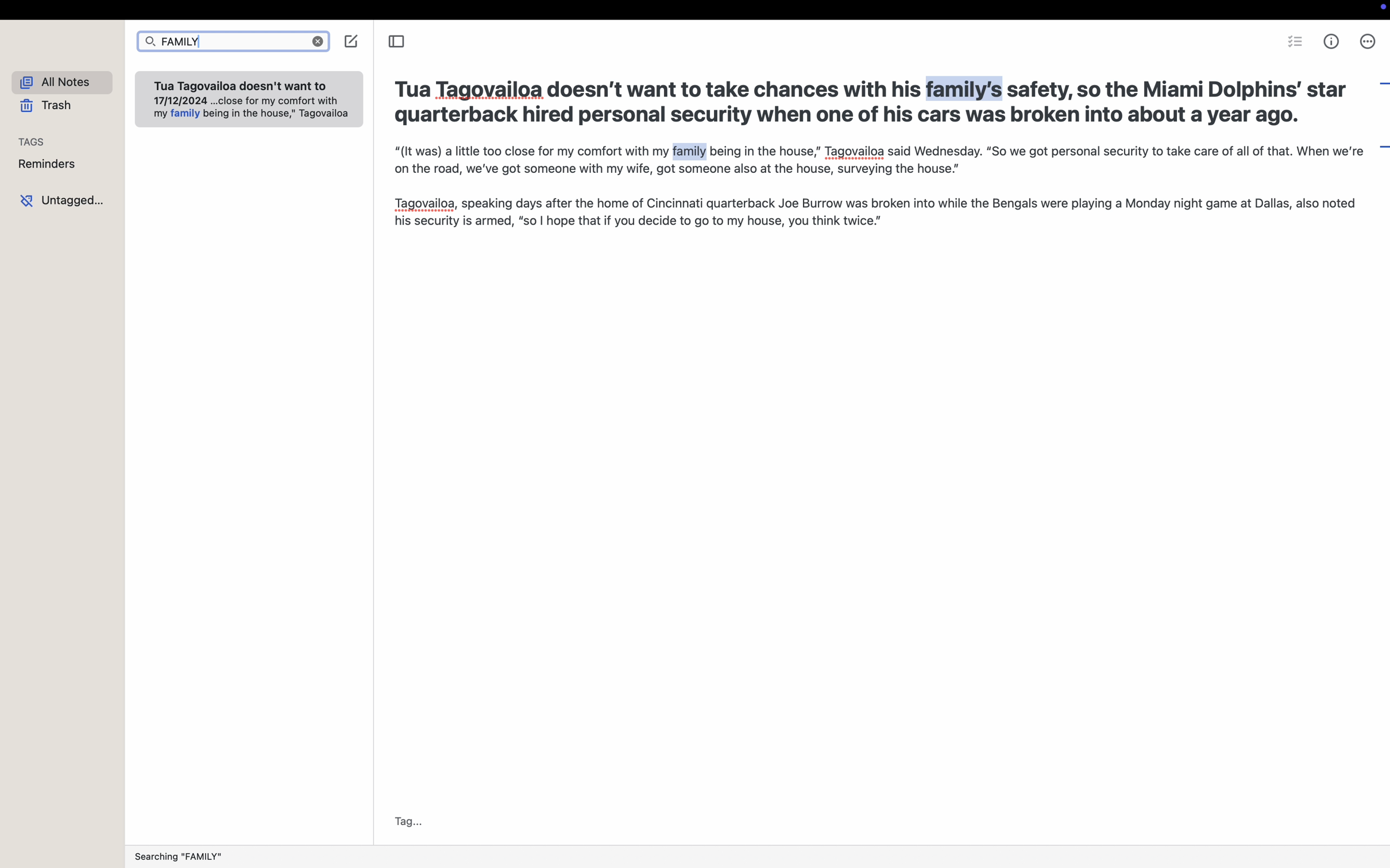  What do you see at coordinates (967, 88) in the screenshot?
I see `keyword` at bounding box center [967, 88].